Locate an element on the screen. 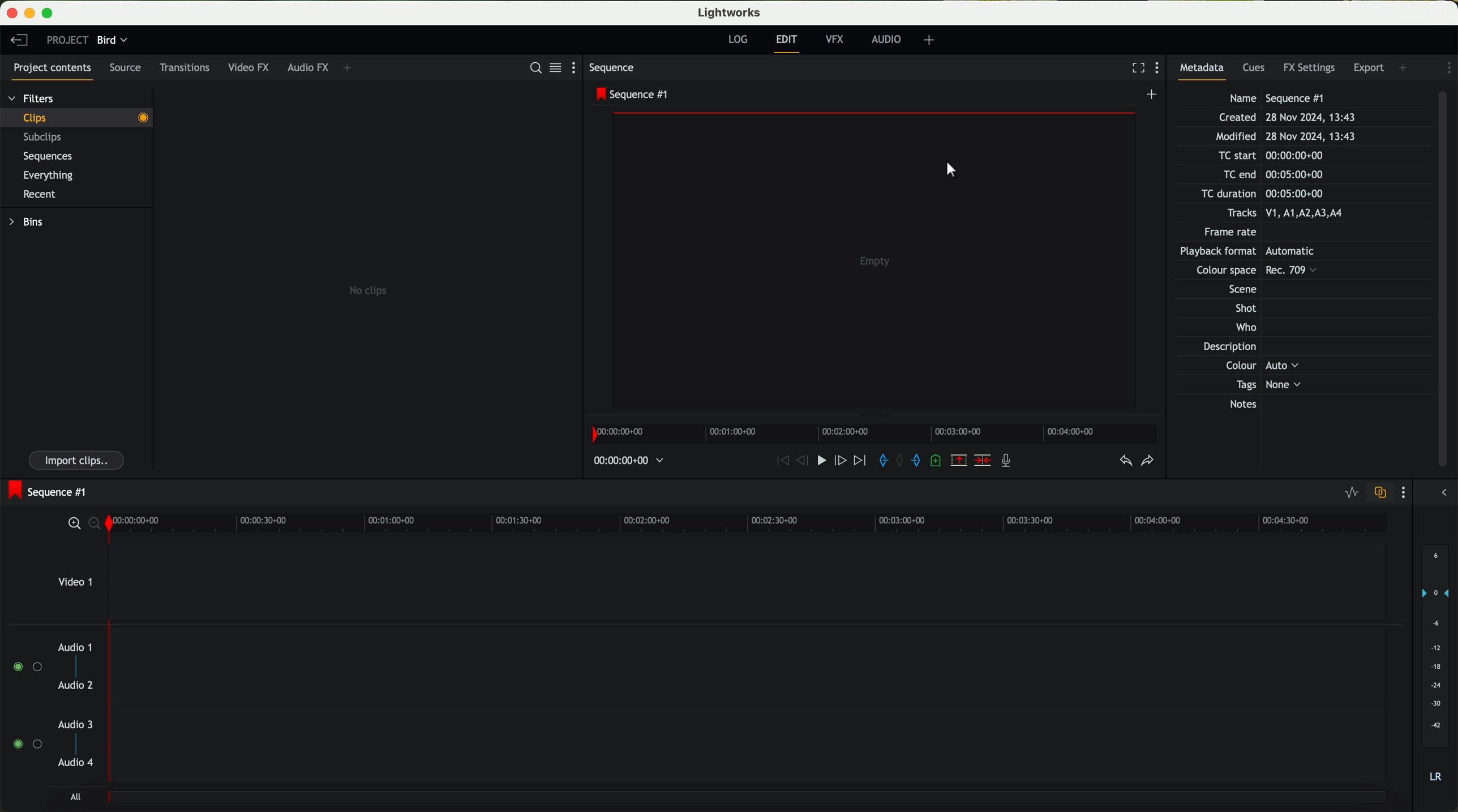 The width and height of the screenshot is (1458, 812). bird project is located at coordinates (113, 40).